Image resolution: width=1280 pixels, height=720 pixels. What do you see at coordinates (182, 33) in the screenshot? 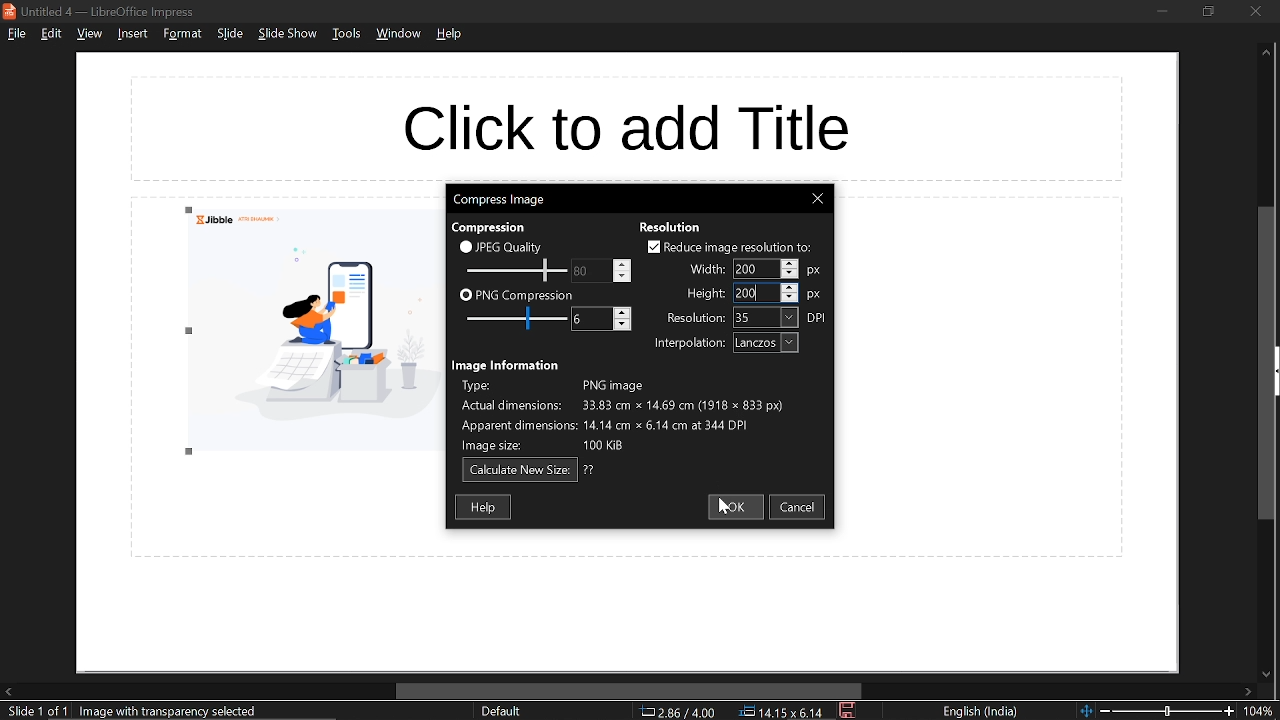
I see `format` at bounding box center [182, 33].